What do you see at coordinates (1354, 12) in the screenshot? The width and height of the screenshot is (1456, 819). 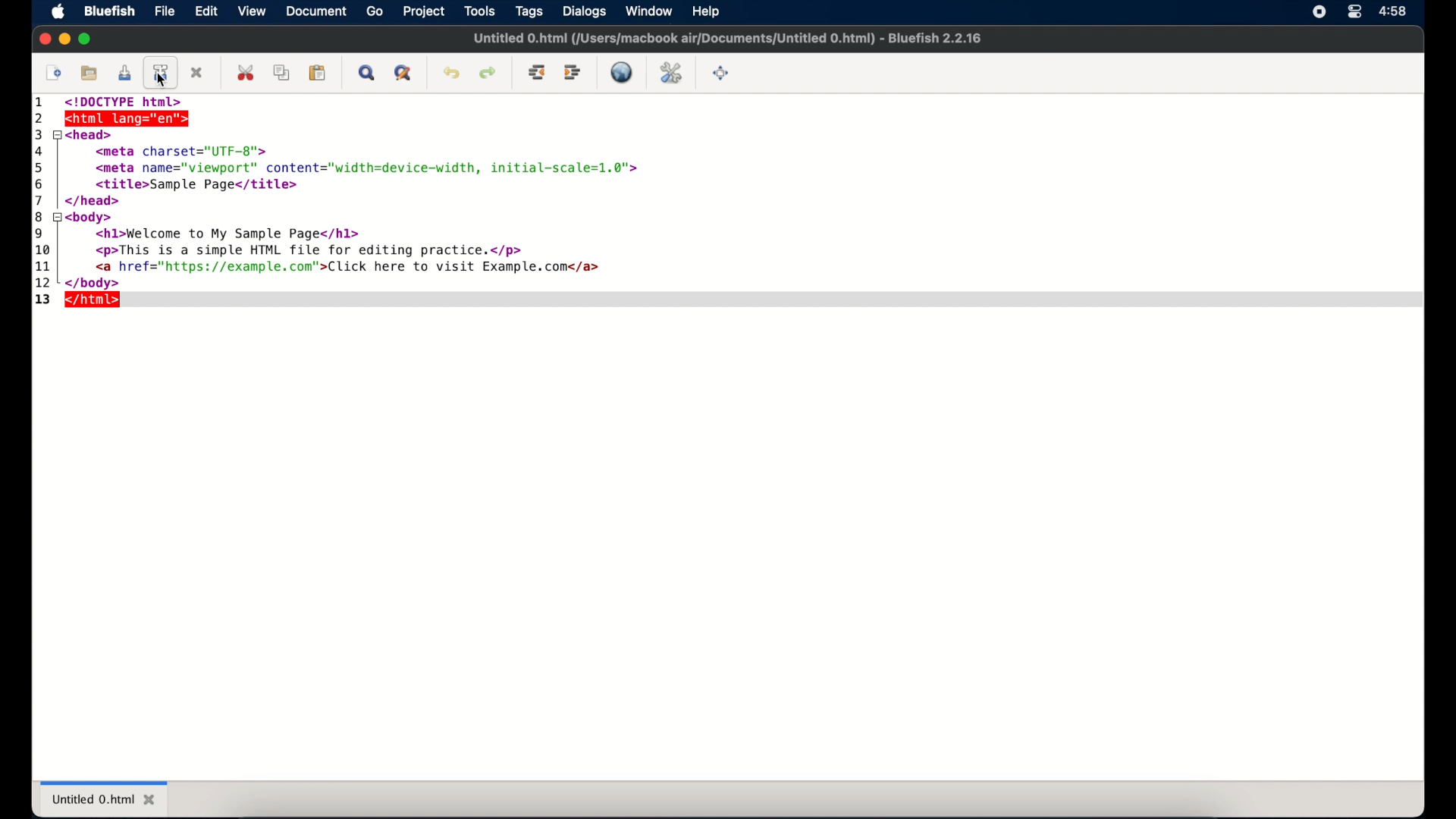 I see `control center` at bounding box center [1354, 12].